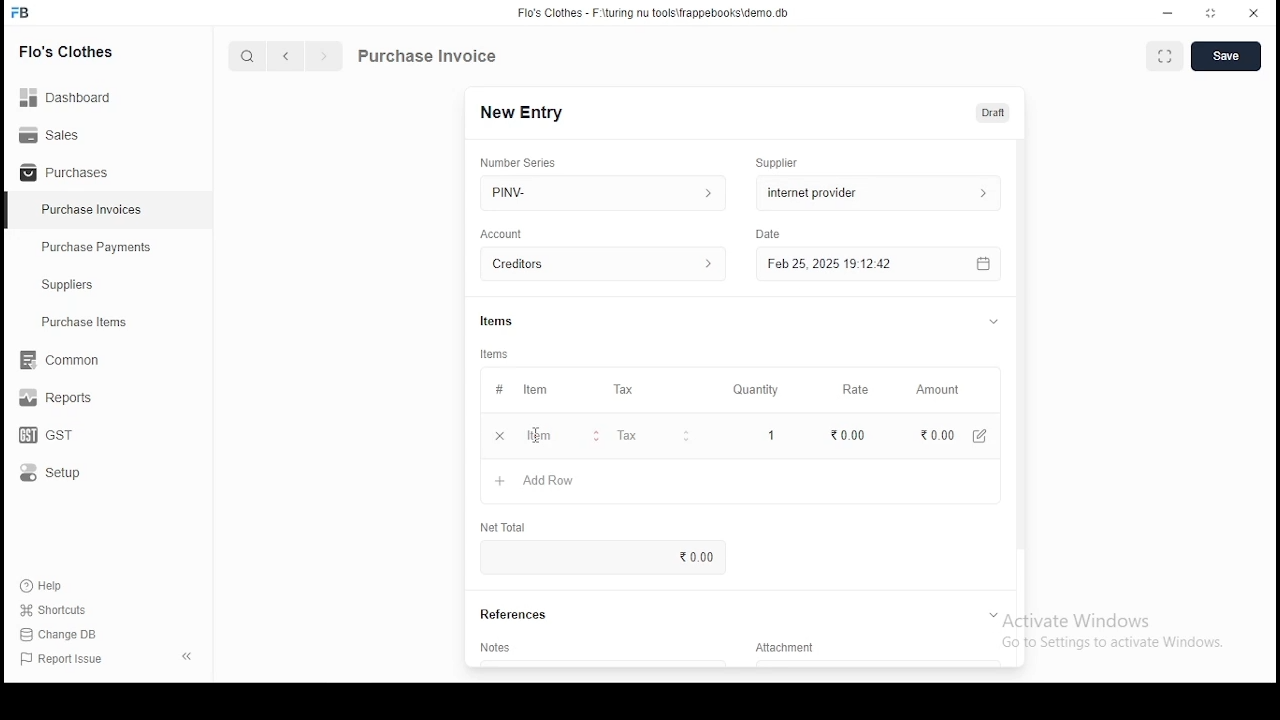 The width and height of the screenshot is (1280, 720). What do you see at coordinates (497, 319) in the screenshot?
I see `Items` at bounding box center [497, 319].